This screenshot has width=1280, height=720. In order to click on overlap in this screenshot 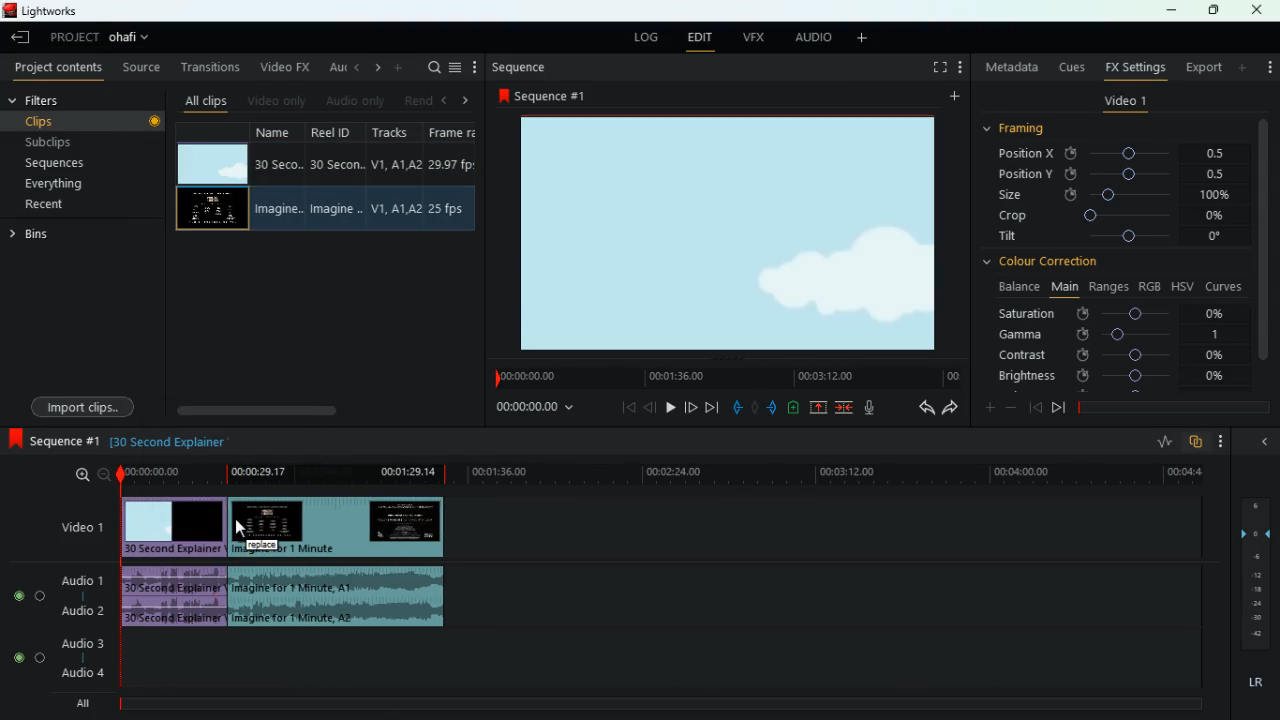, I will do `click(1198, 442)`.